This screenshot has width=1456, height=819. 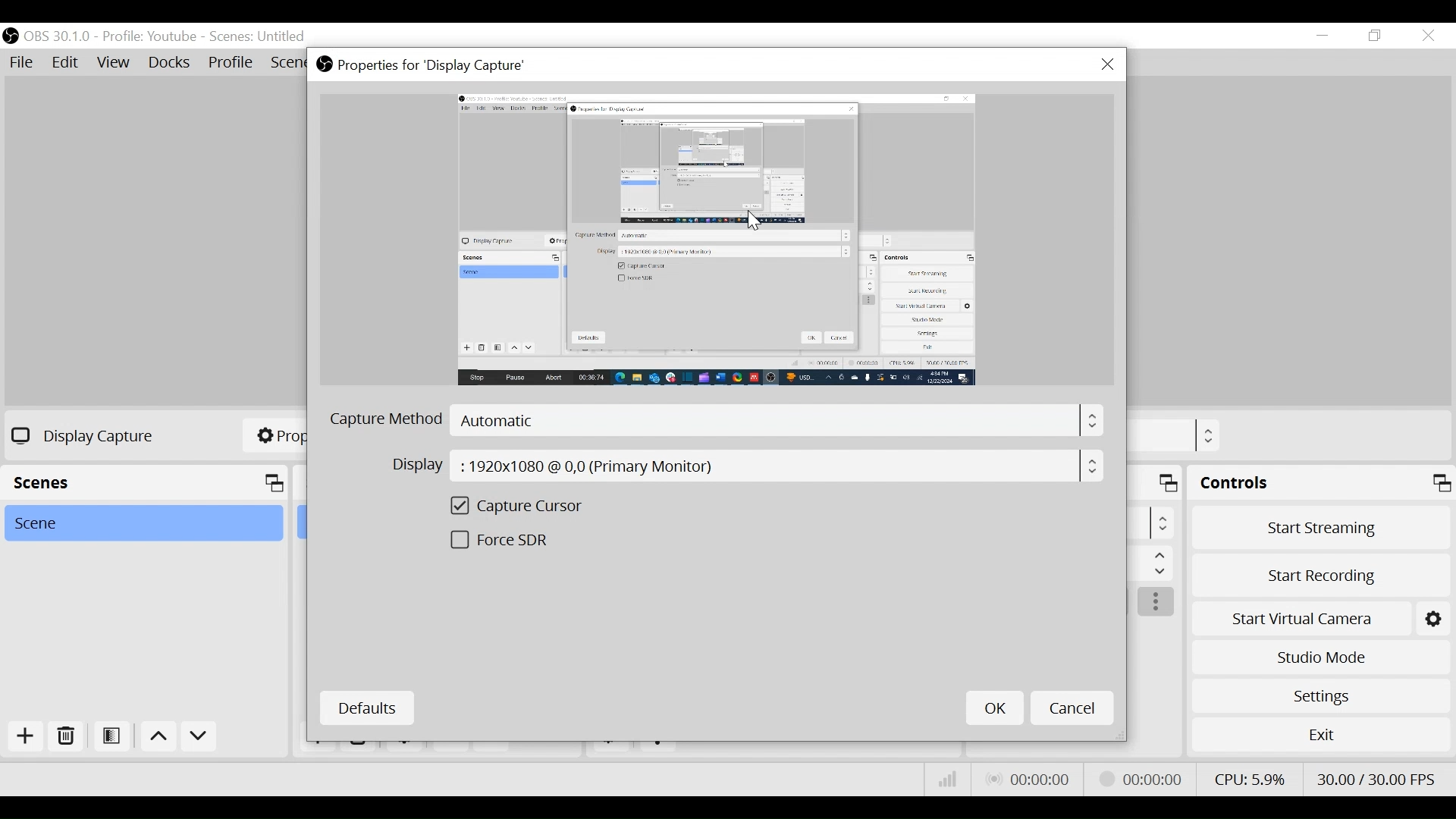 What do you see at coordinates (199, 738) in the screenshot?
I see `Move down` at bounding box center [199, 738].